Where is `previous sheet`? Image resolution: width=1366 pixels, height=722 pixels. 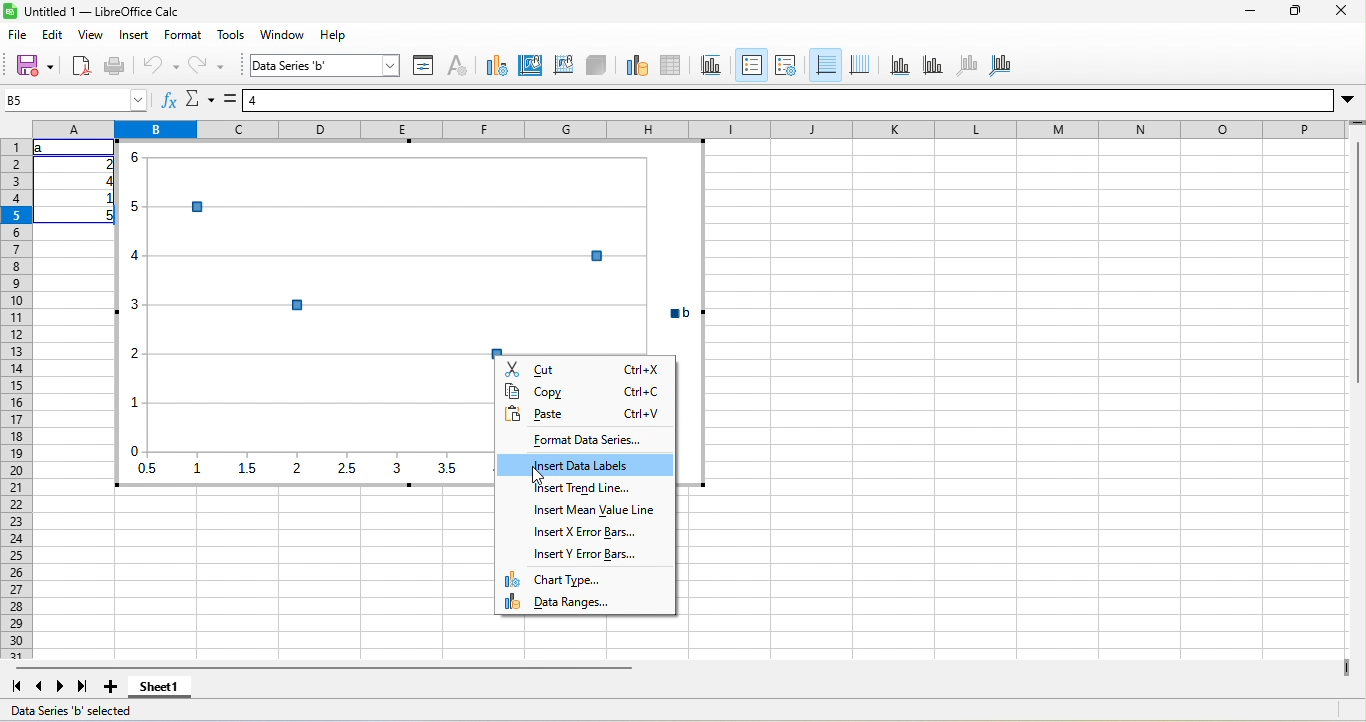
previous sheet is located at coordinates (40, 686).